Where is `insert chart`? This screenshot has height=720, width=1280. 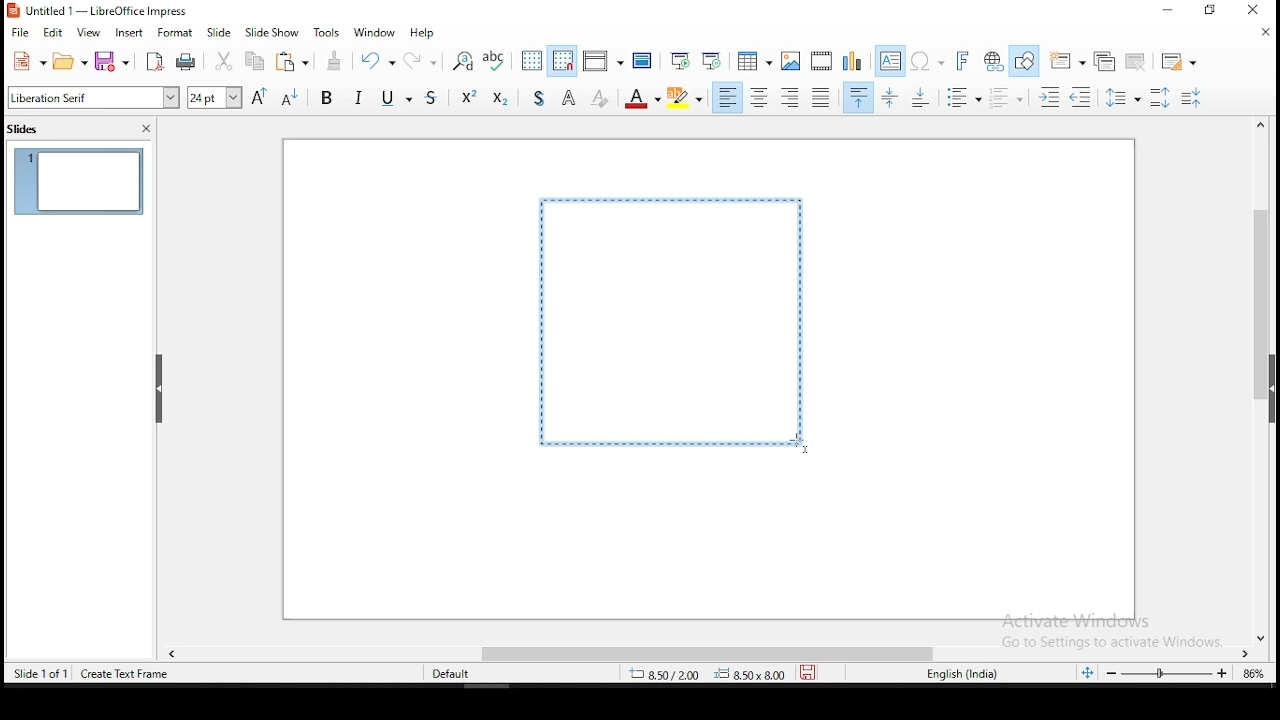 insert chart is located at coordinates (852, 60).